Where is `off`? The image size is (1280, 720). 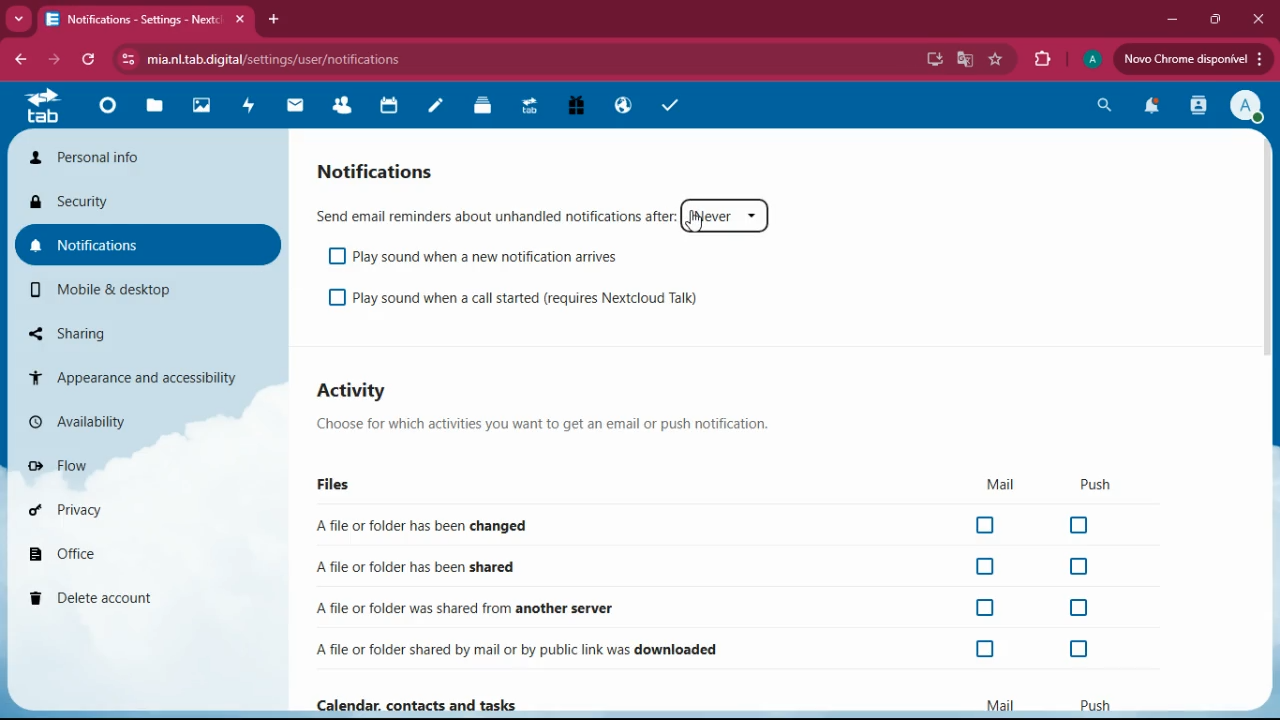 off is located at coordinates (986, 526).